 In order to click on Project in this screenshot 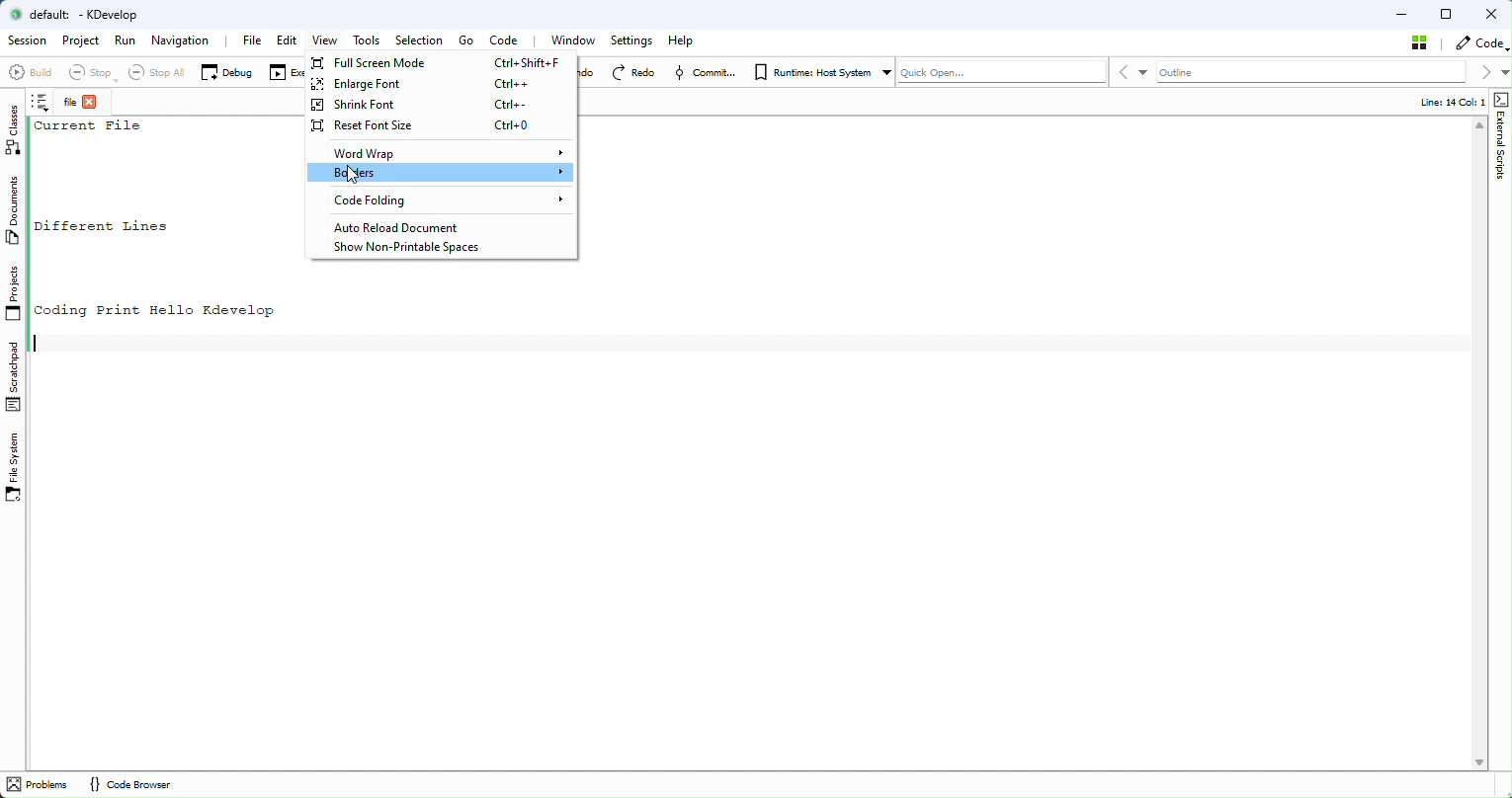, I will do `click(81, 42)`.